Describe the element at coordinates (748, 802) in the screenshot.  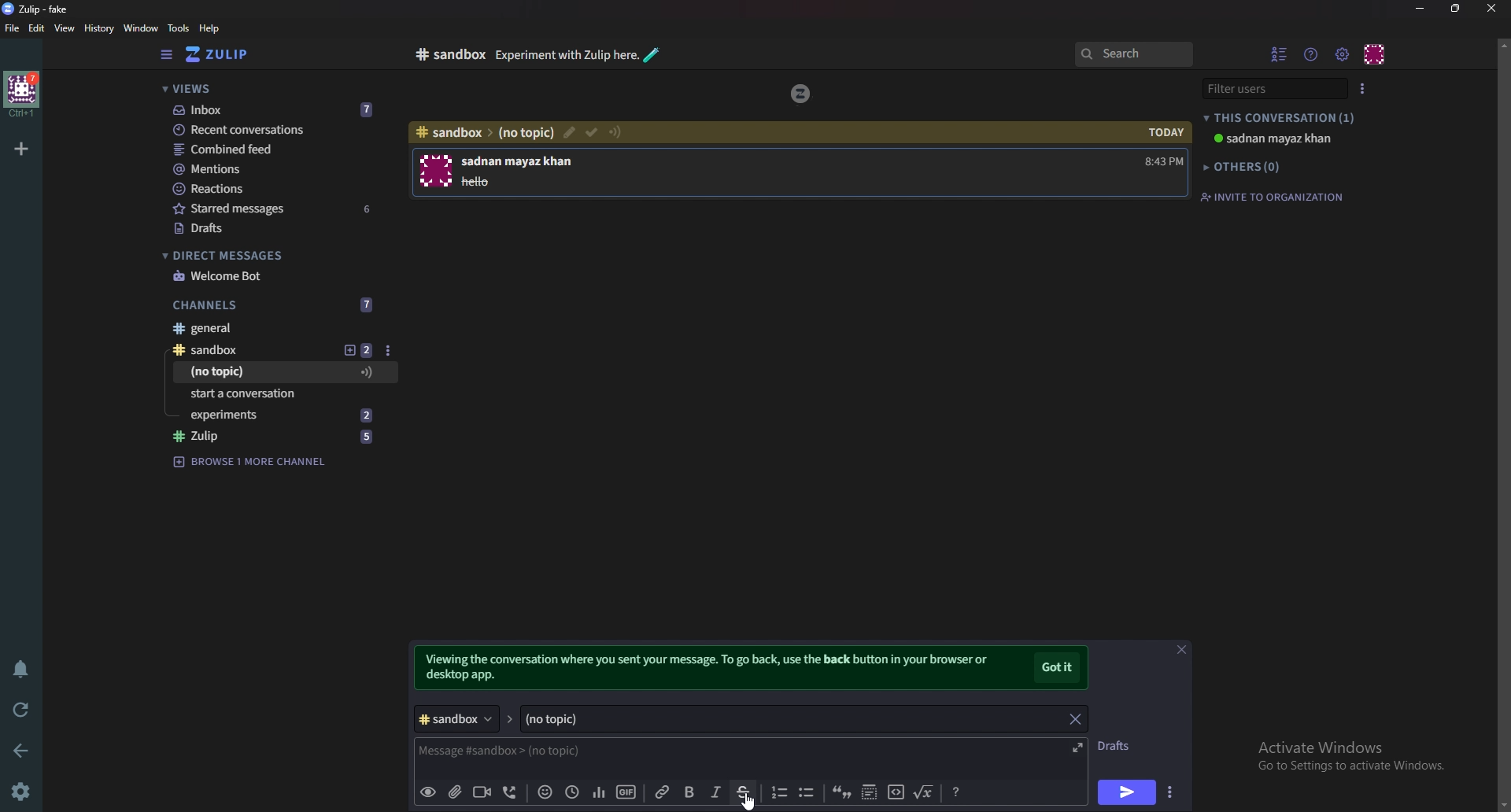
I see `cursor` at that location.